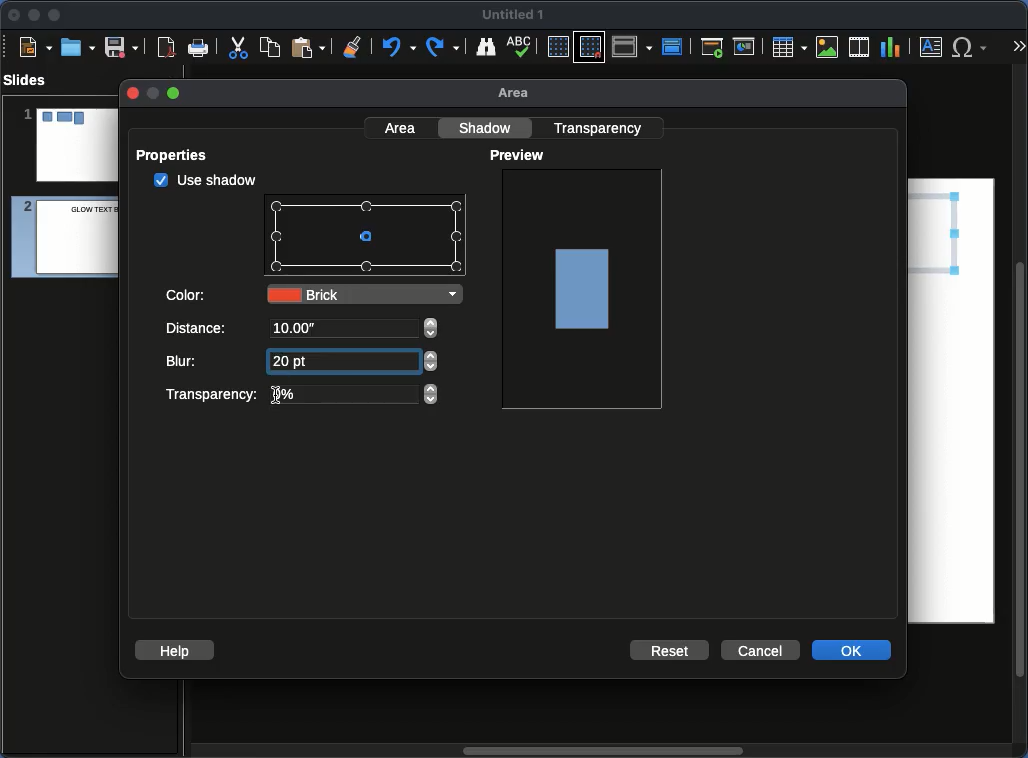 The image size is (1028, 758). Describe the element at coordinates (166, 48) in the screenshot. I see `Export as PDF` at that location.